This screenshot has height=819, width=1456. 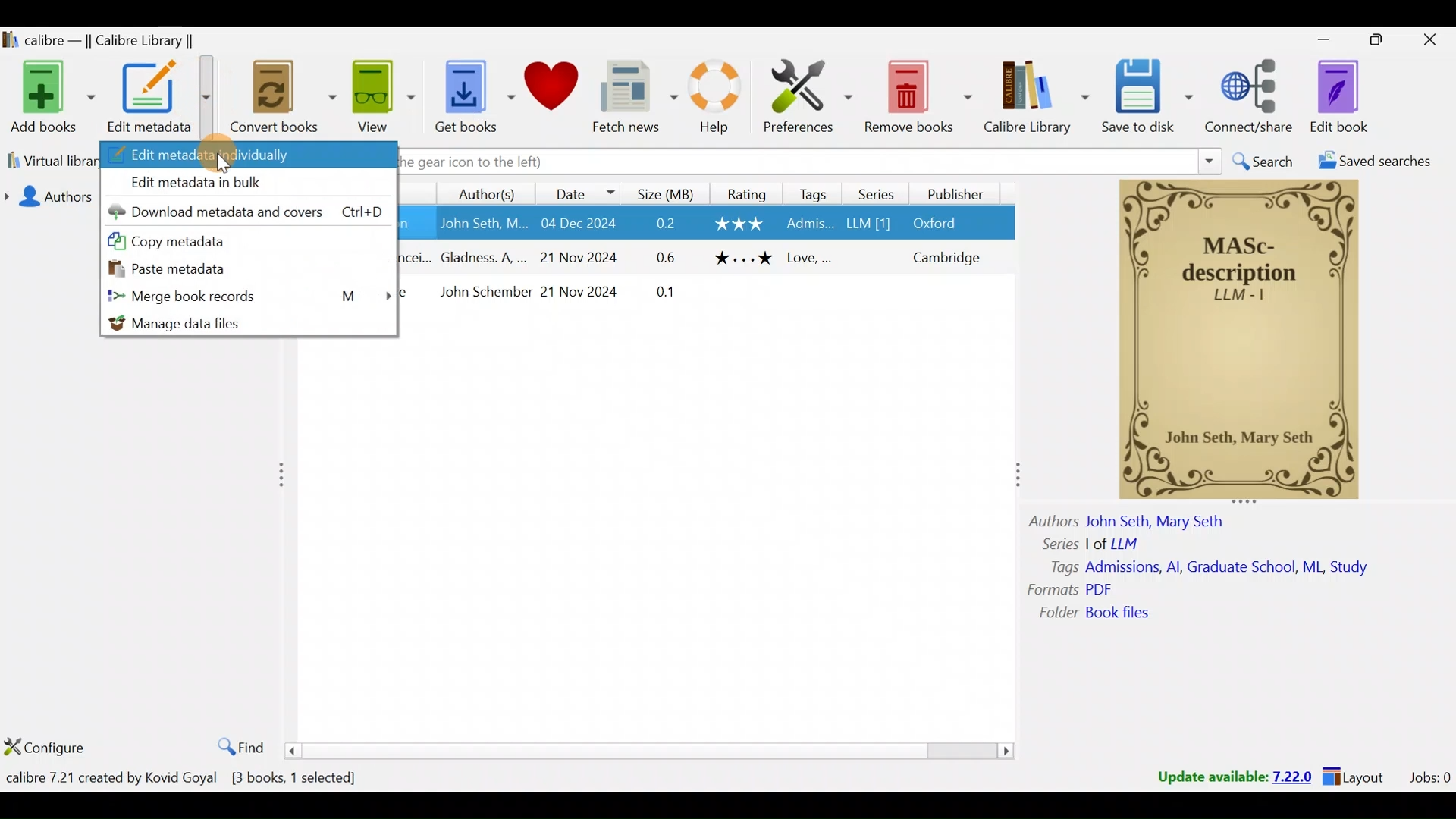 I want to click on Layouts, so click(x=1360, y=780).